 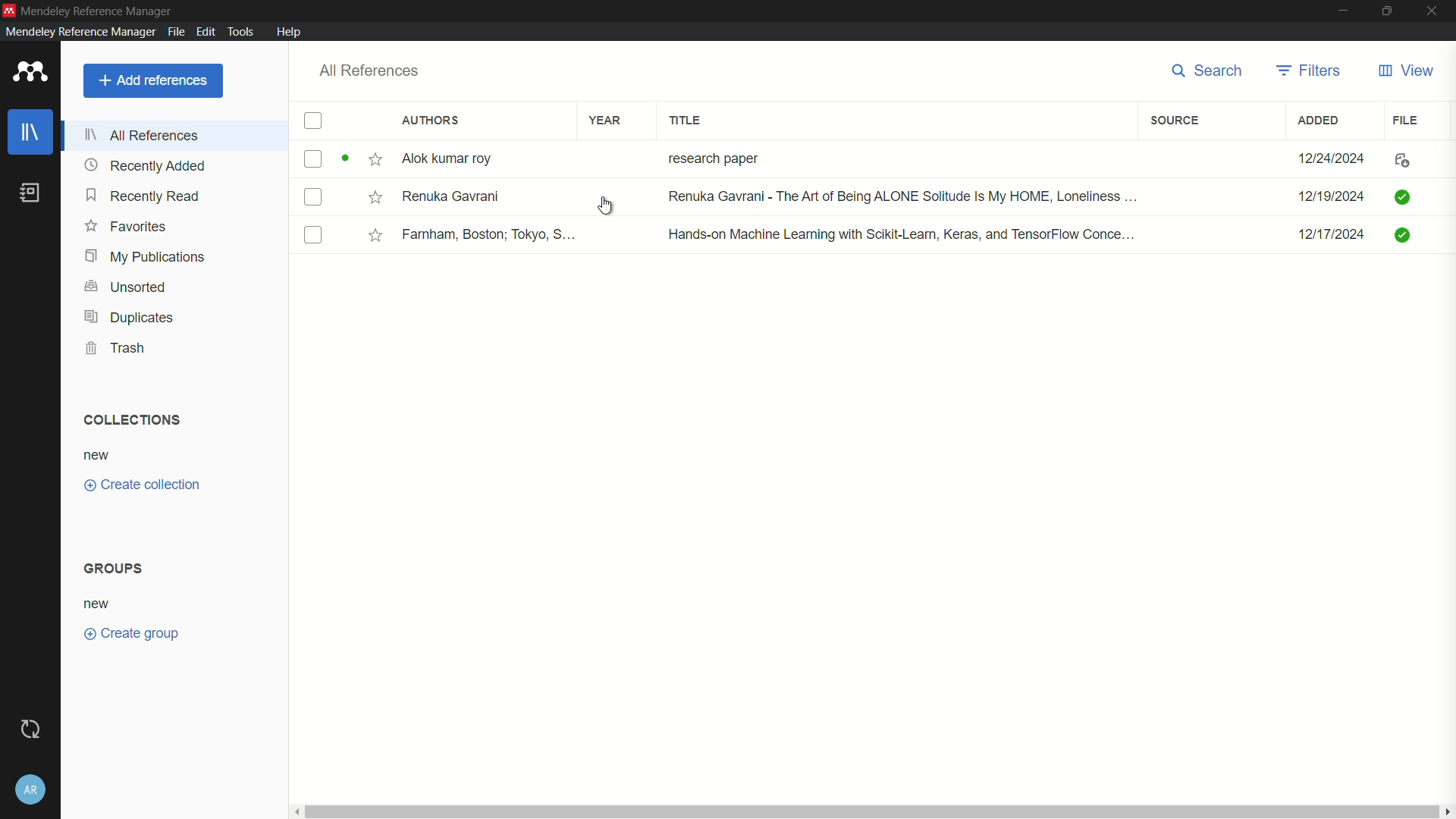 What do you see at coordinates (1310, 71) in the screenshot?
I see `filters` at bounding box center [1310, 71].